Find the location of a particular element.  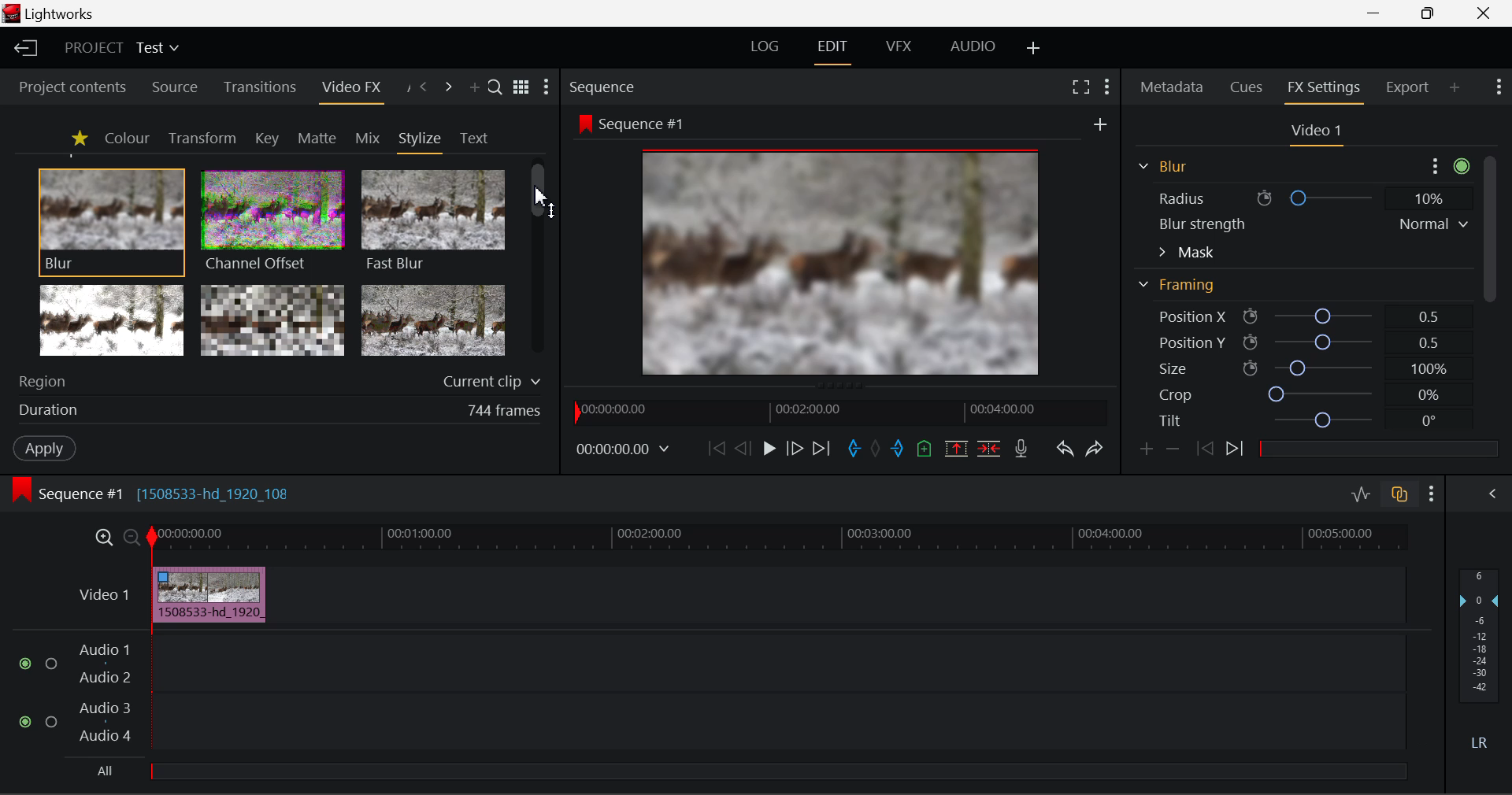

FX Settings Panel Open is located at coordinates (1321, 90).